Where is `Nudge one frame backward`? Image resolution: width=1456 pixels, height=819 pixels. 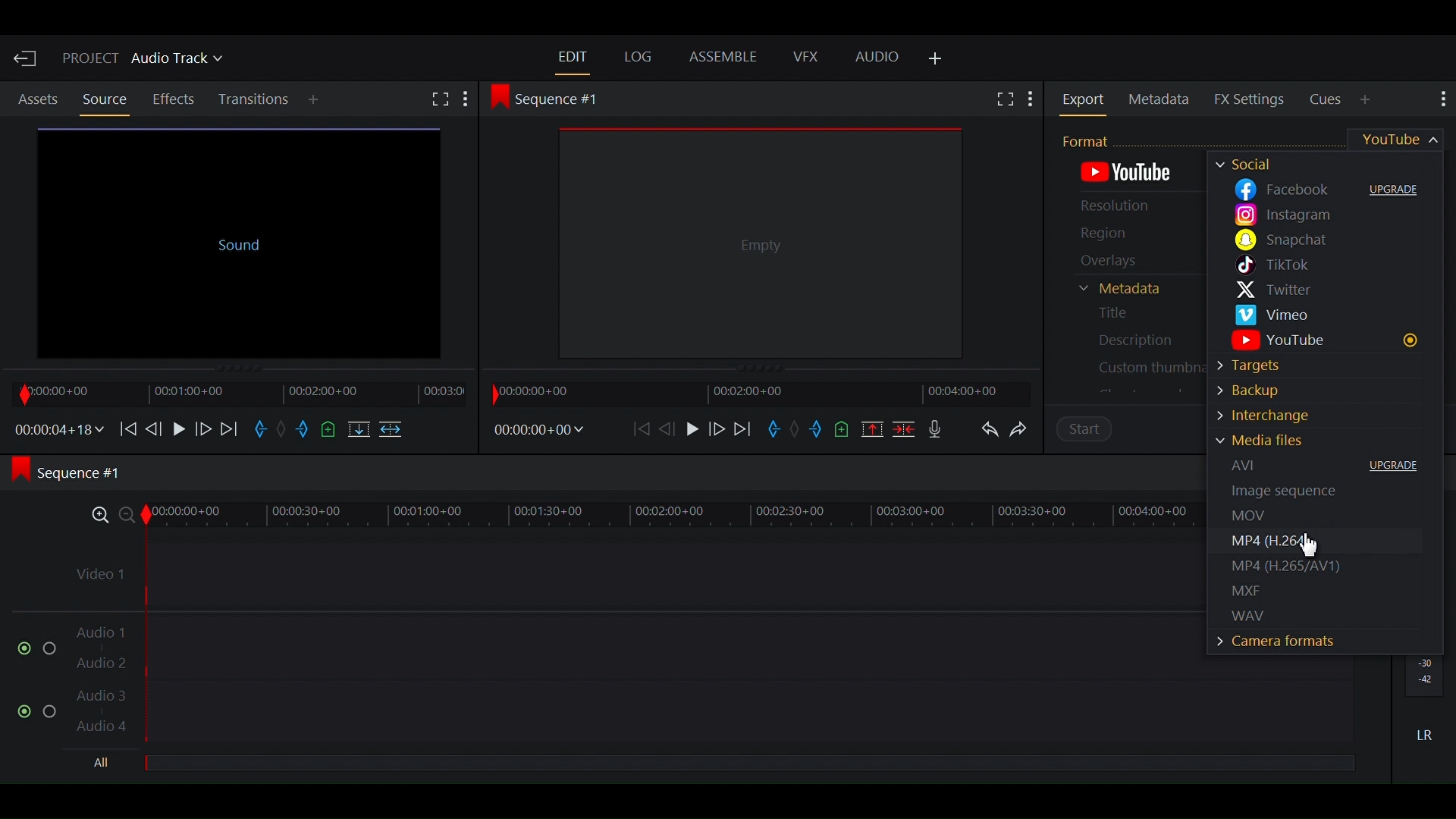
Nudge one frame backward is located at coordinates (155, 427).